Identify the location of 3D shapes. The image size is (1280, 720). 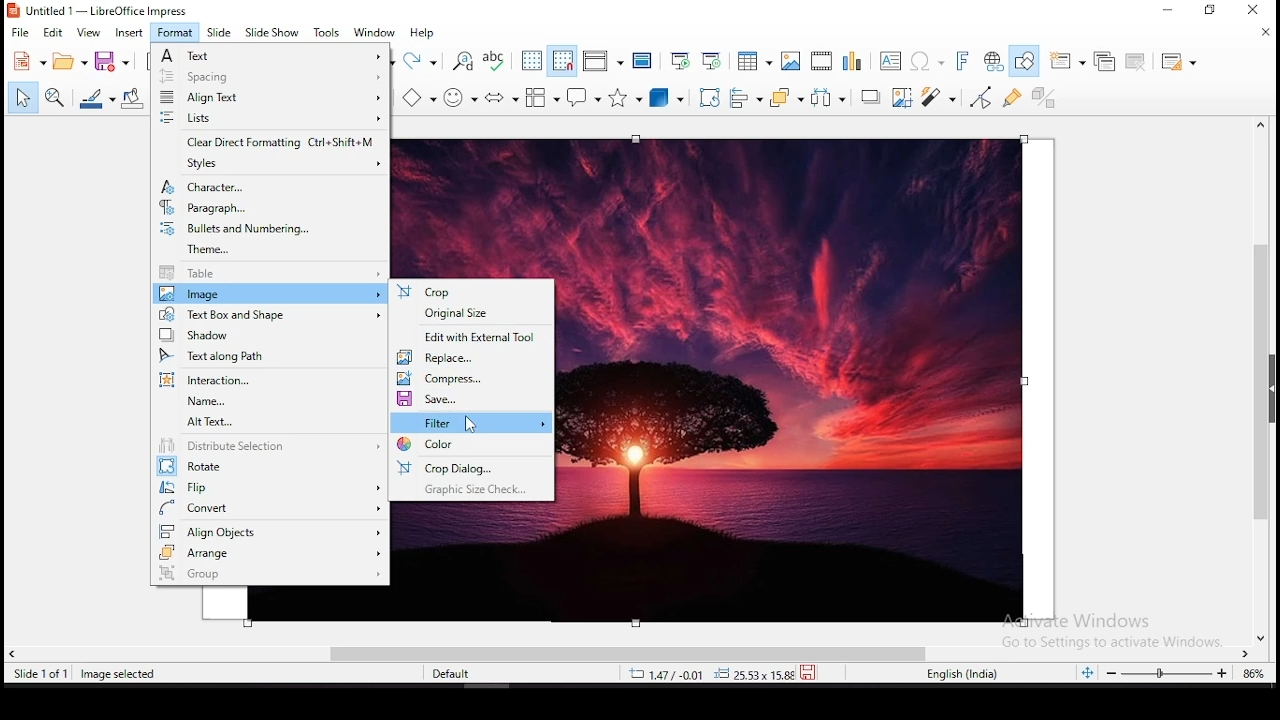
(667, 100).